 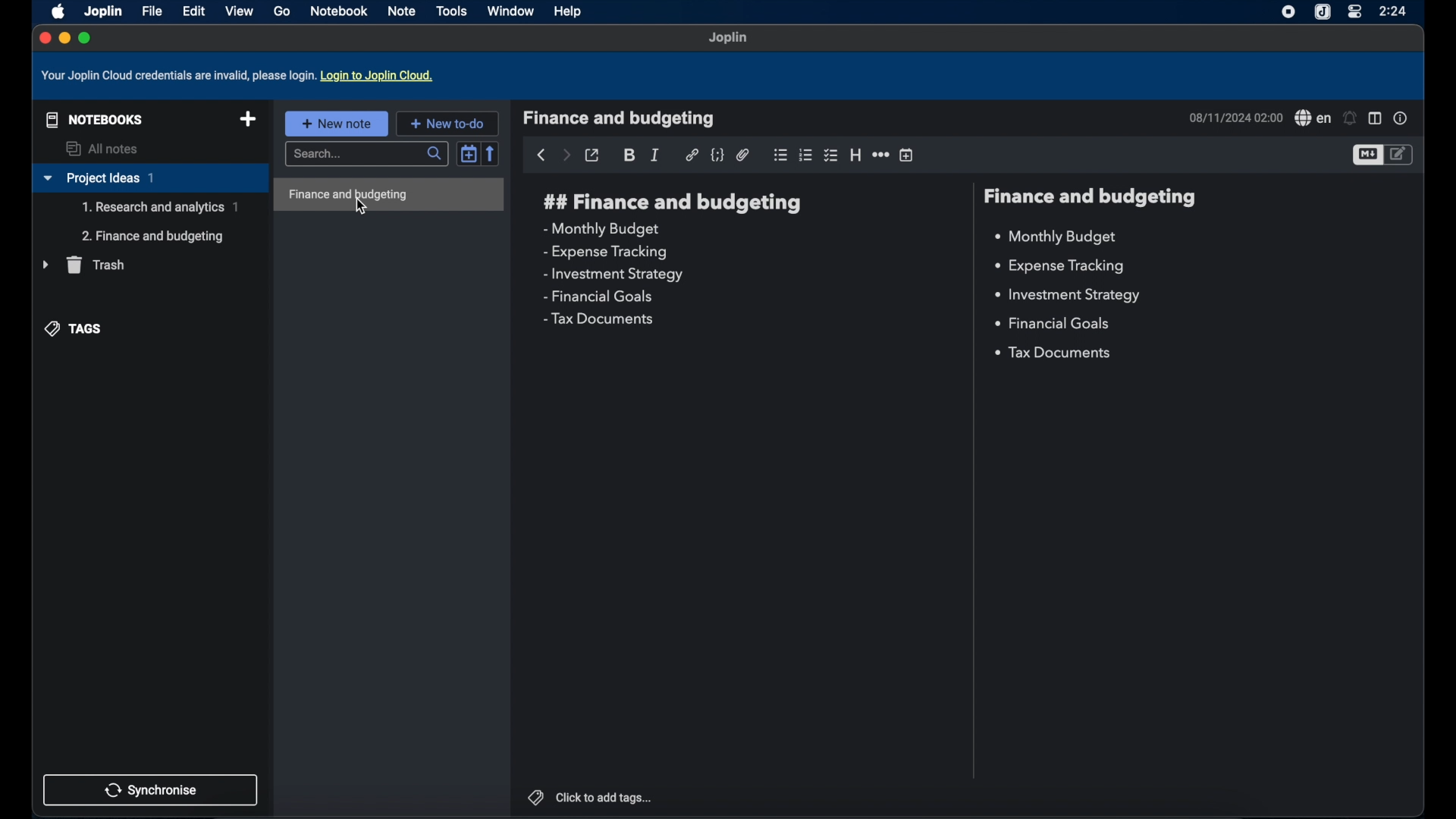 What do you see at coordinates (239, 11) in the screenshot?
I see `view` at bounding box center [239, 11].